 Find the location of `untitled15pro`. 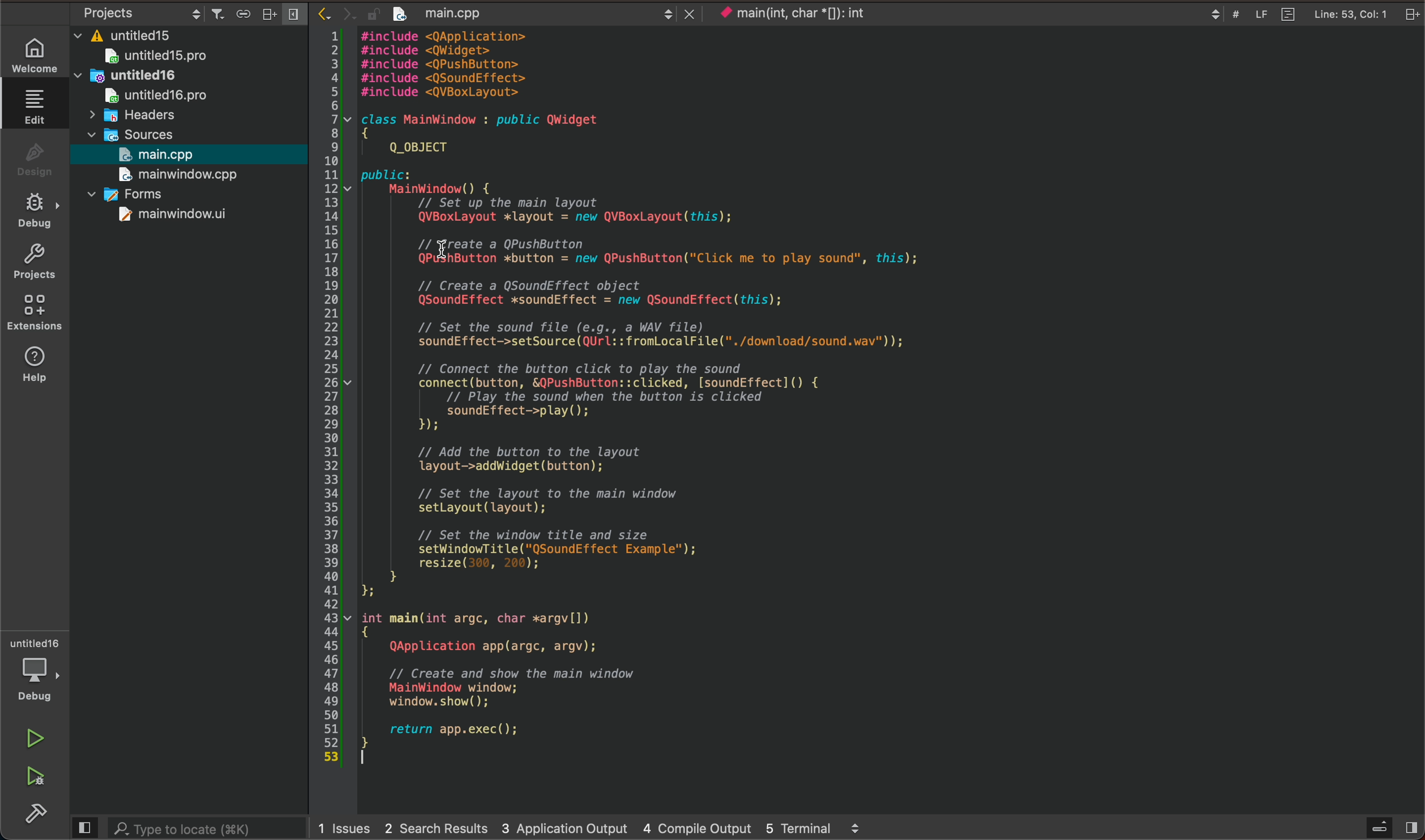

untitled15pro is located at coordinates (164, 57).